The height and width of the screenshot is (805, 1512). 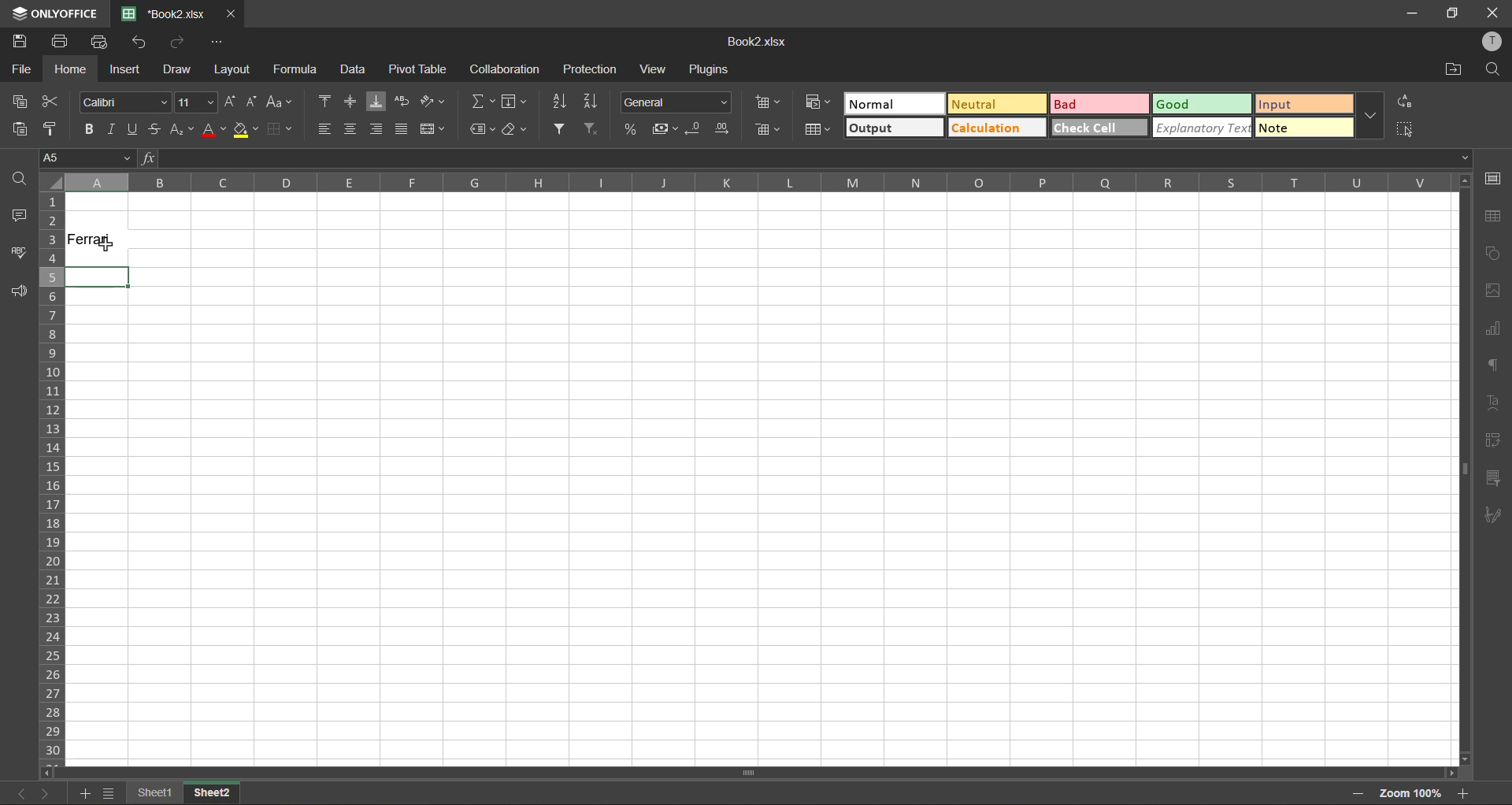 I want to click on table, so click(x=1494, y=216).